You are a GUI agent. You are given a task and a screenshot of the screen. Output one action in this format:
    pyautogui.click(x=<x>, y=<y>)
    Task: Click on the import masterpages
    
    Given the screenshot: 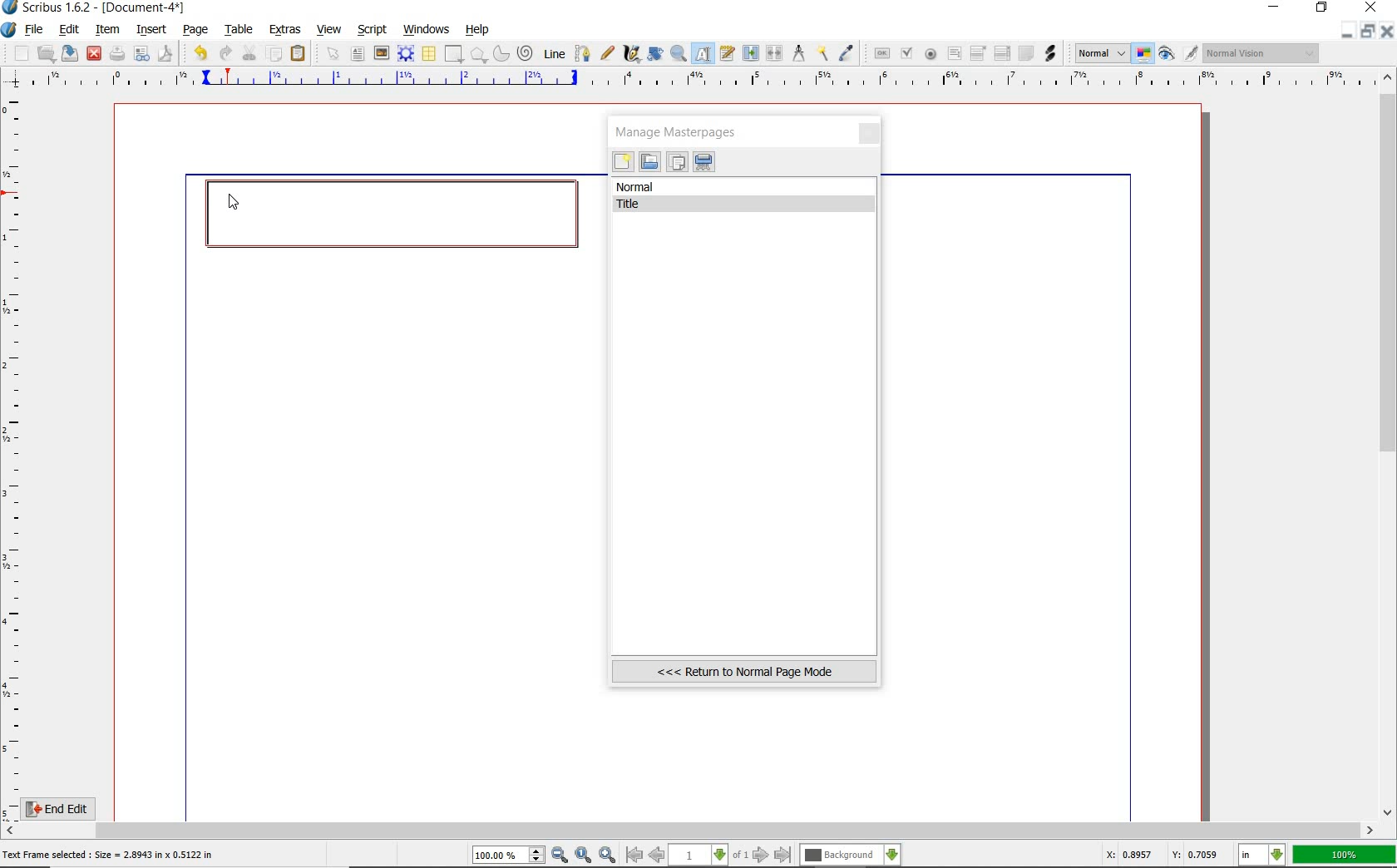 What is the action you would take?
    pyautogui.click(x=649, y=162)
    